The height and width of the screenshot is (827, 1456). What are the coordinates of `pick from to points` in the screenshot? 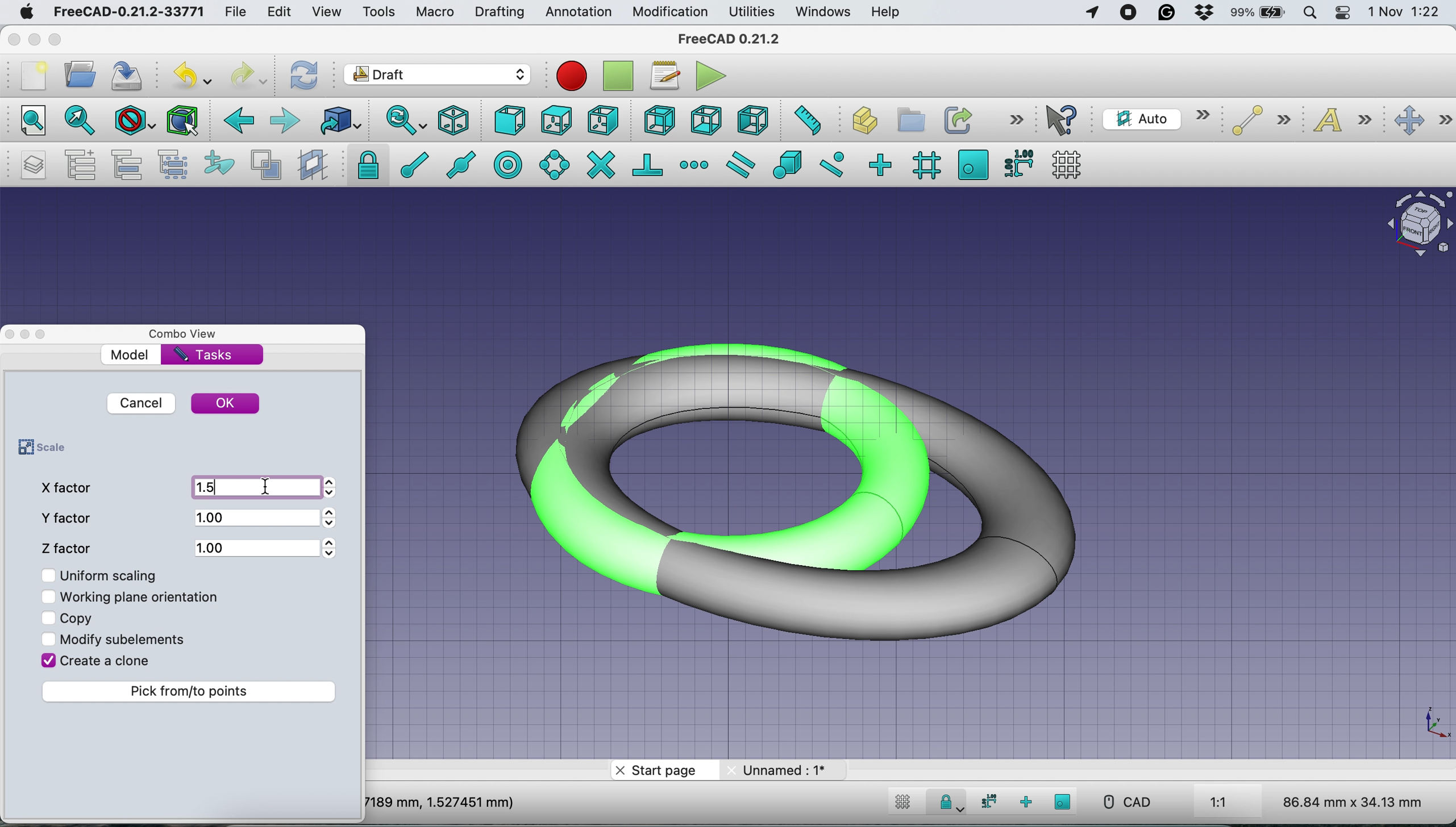 It's located at (192, 691).